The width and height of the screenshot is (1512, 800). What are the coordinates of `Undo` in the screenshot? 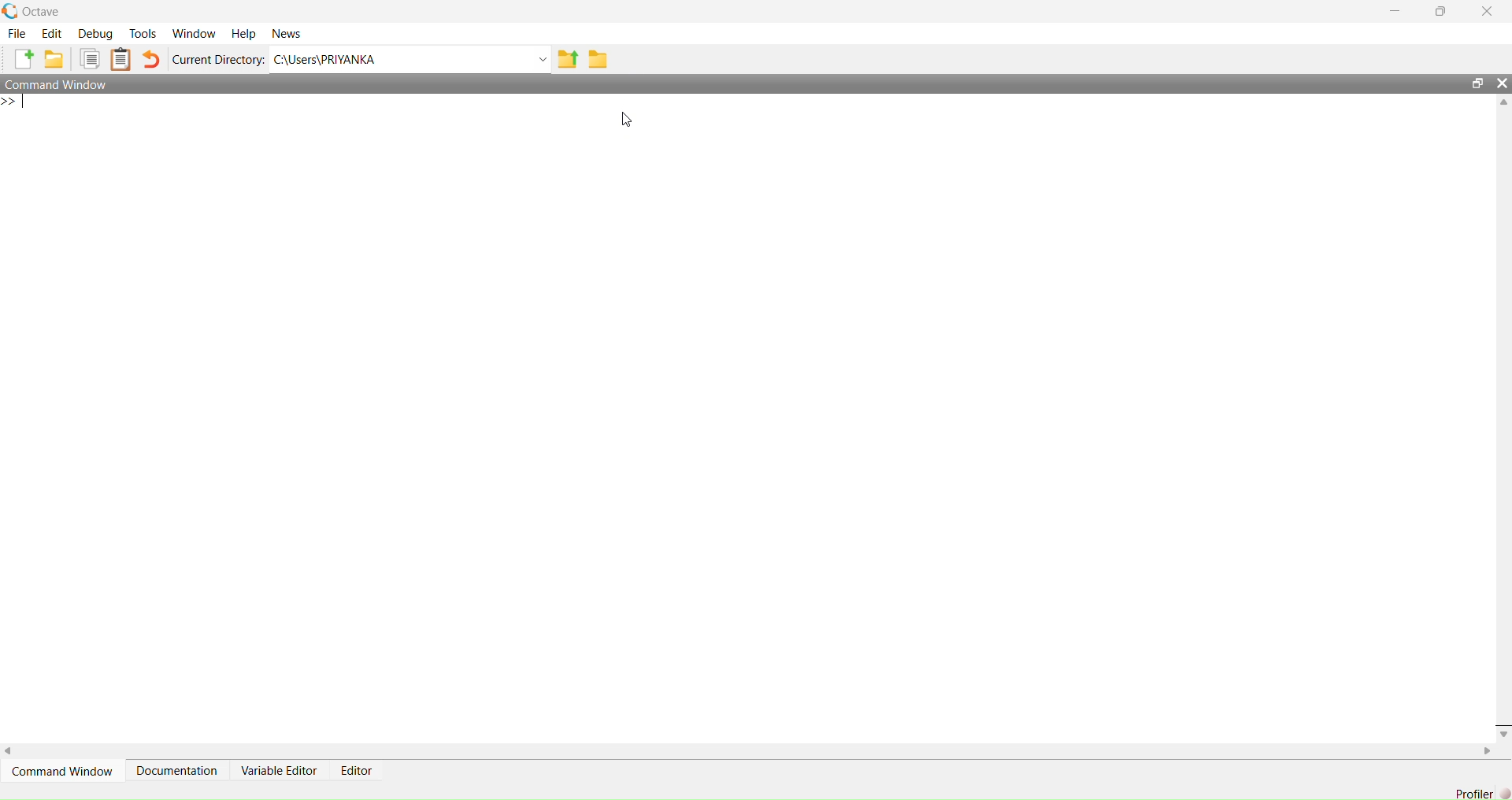 It's located at (152, 60).